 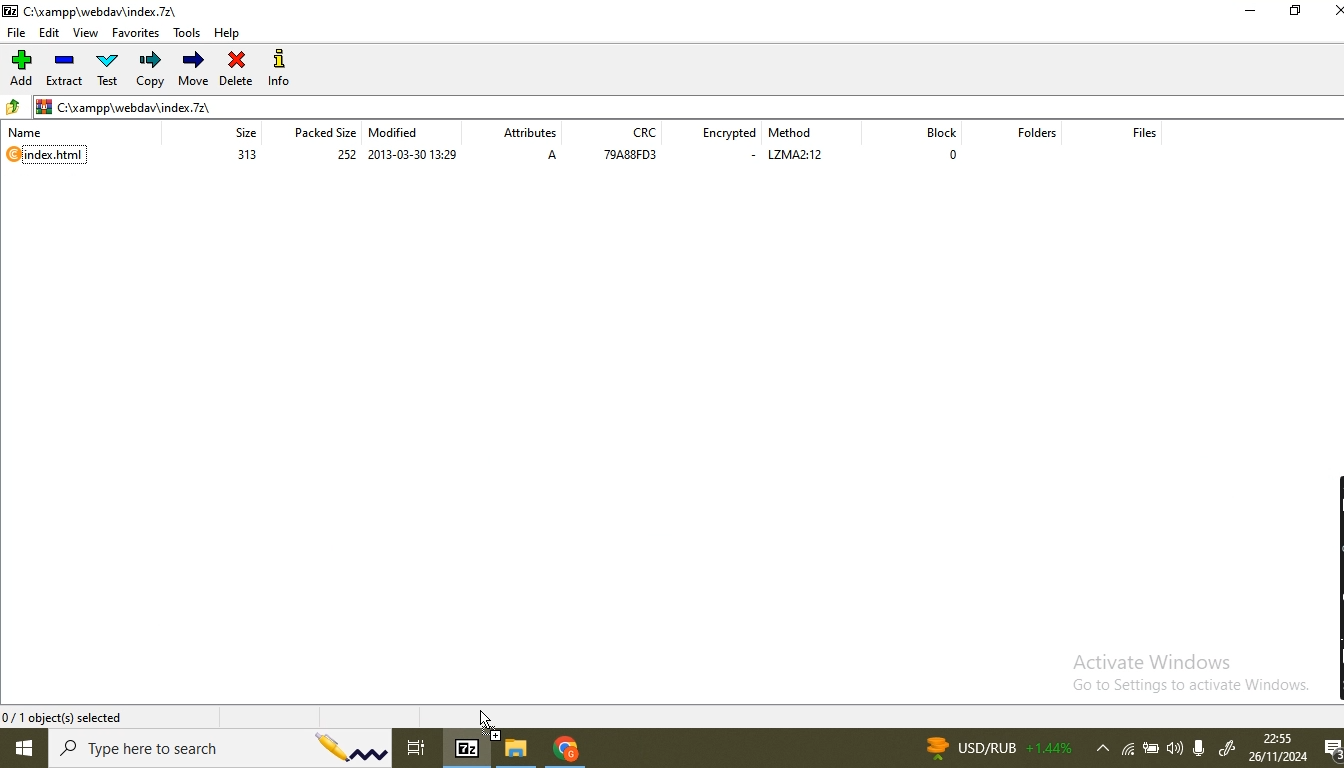 I want to click on news currency rate, so click(x=996, y=747).